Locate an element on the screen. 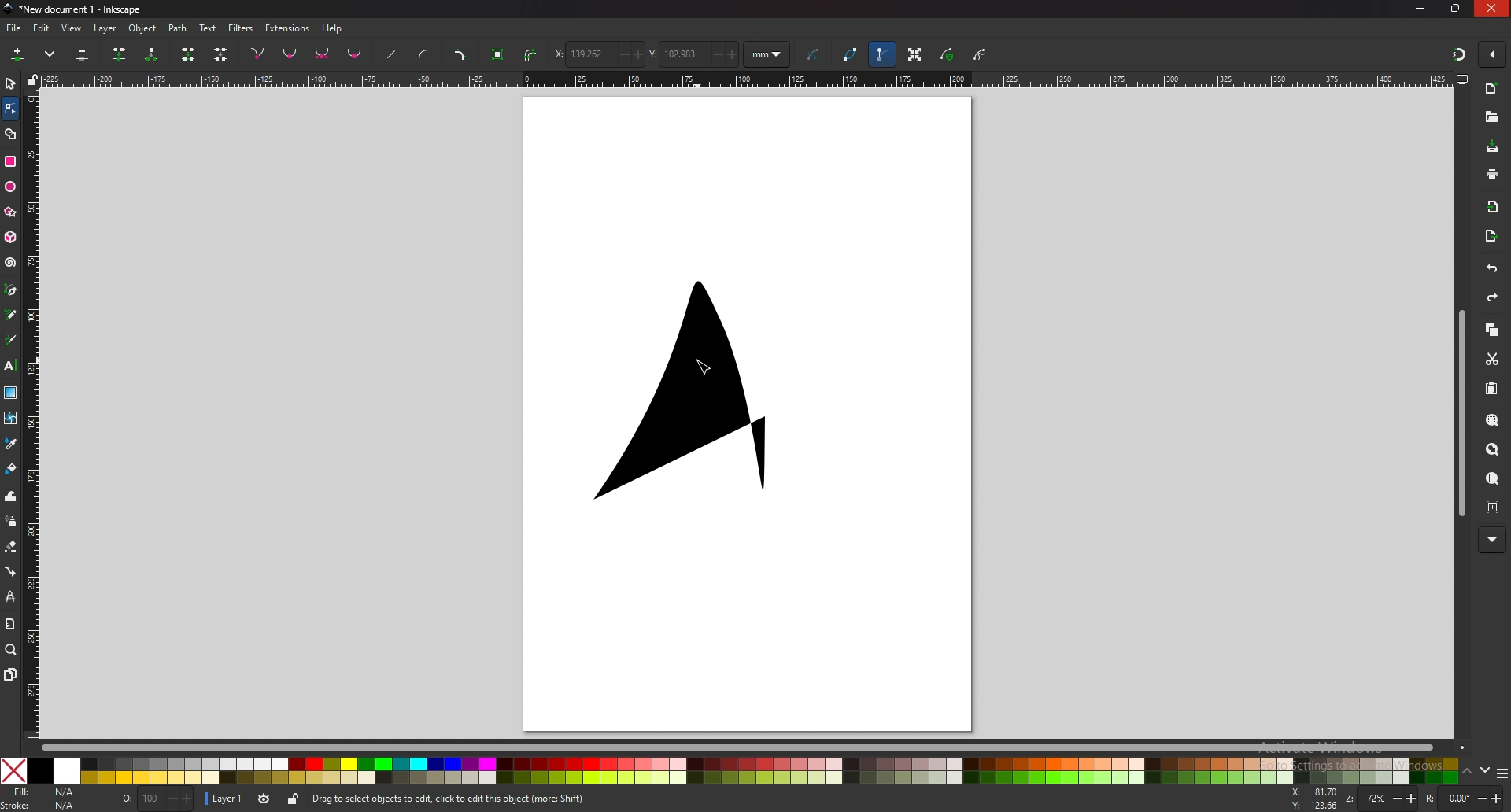  star is located at coordinates (12, 213).